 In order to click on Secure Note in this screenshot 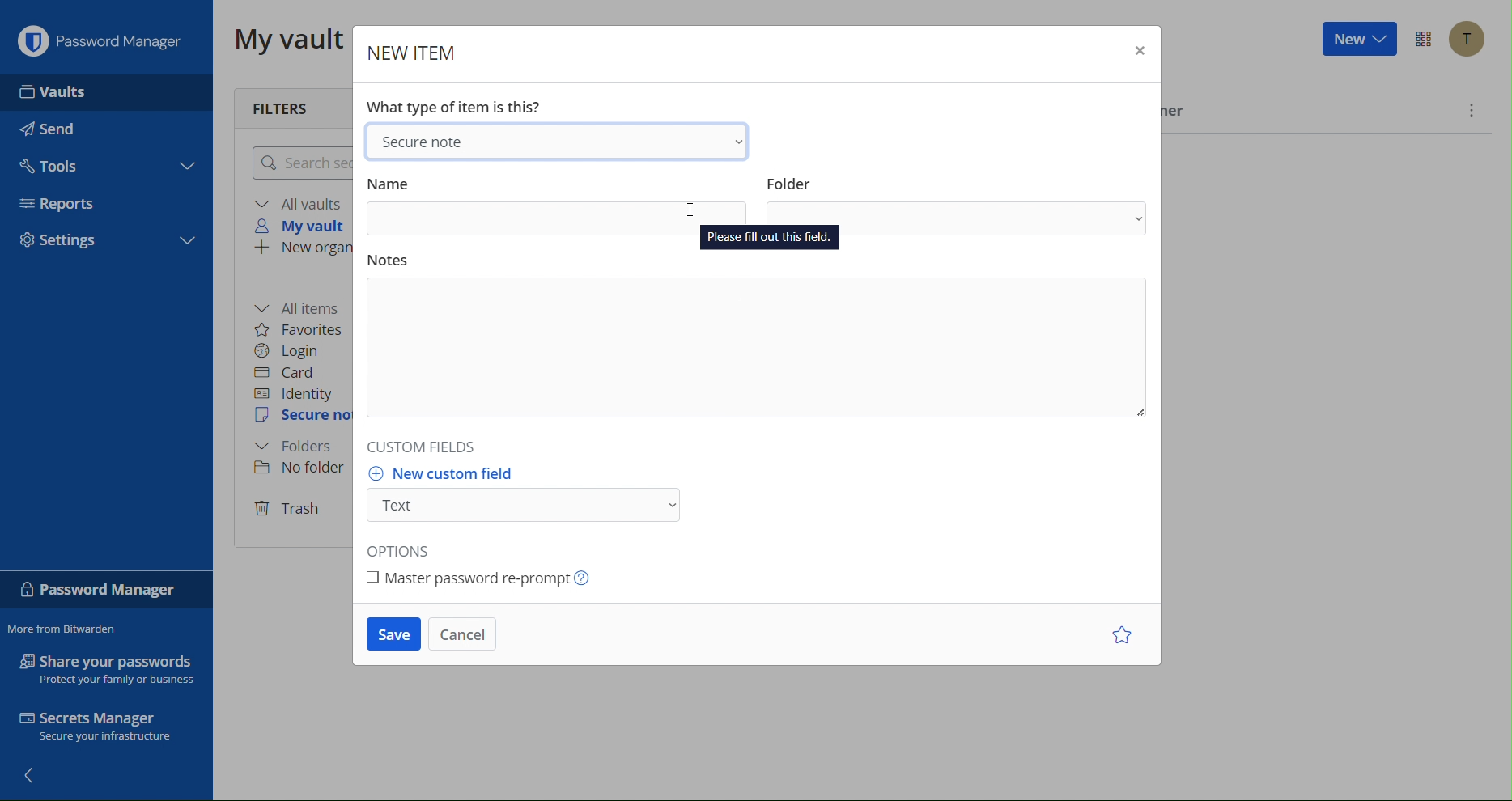, I will do `click(301, 418)`.